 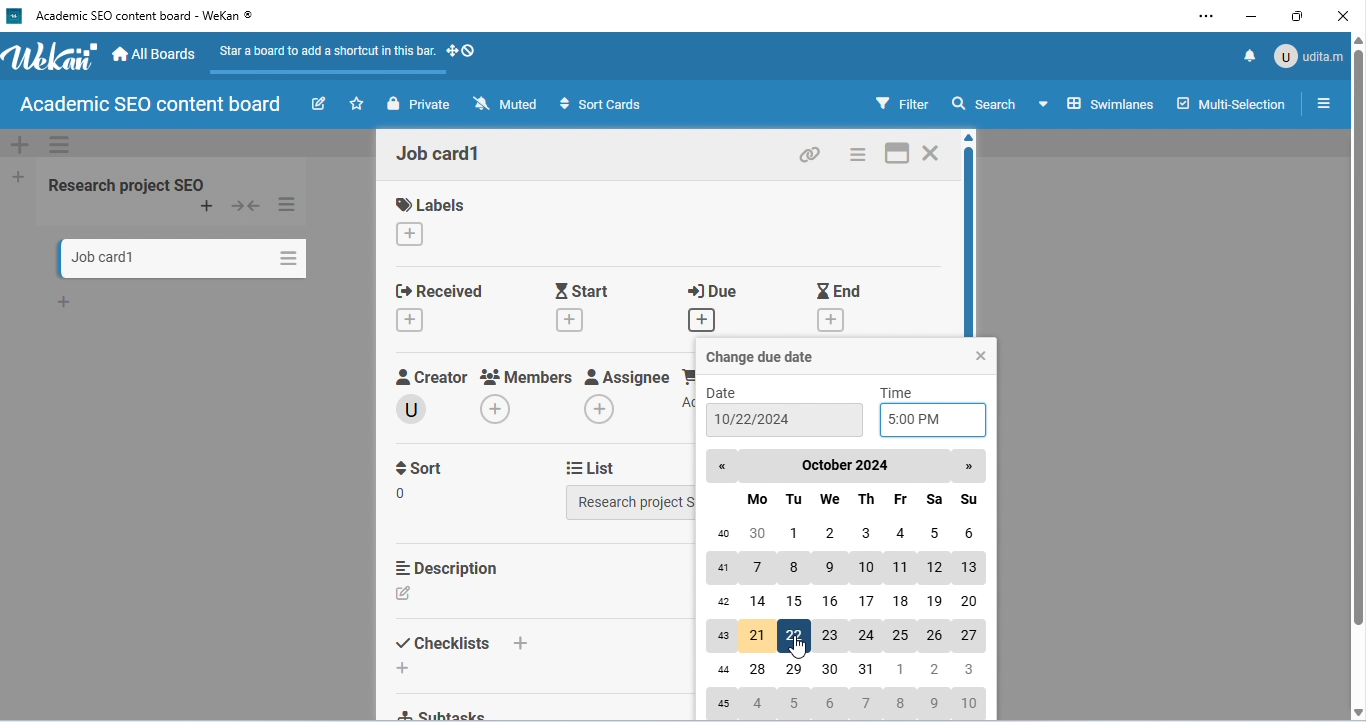 I want to click on date added: 10/22/2024, so click(x=783, y=420).